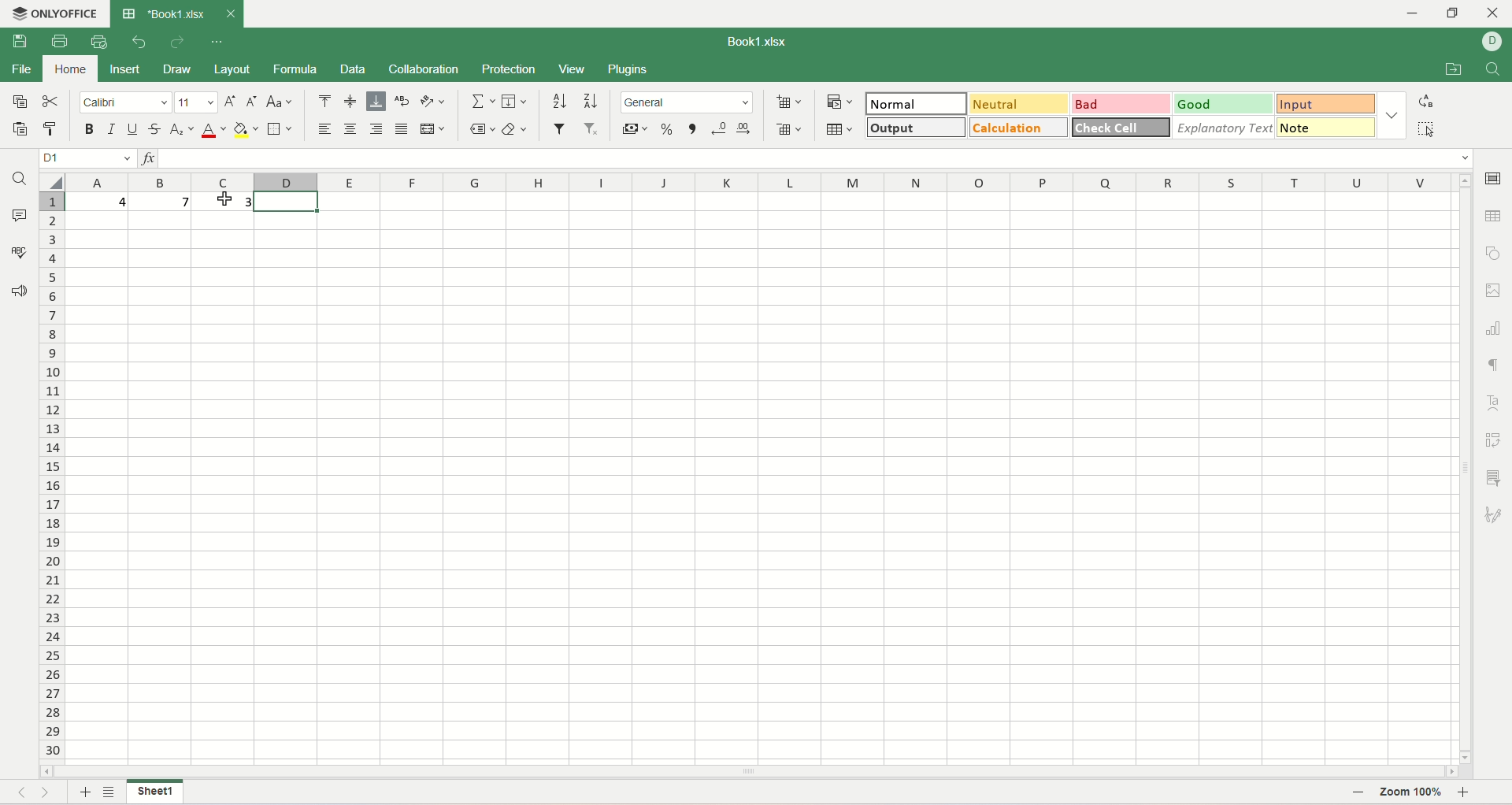  What do you see at coordinates (88, 159) in the screenshot?
I see `cell position` at bounding box center [88, 159].